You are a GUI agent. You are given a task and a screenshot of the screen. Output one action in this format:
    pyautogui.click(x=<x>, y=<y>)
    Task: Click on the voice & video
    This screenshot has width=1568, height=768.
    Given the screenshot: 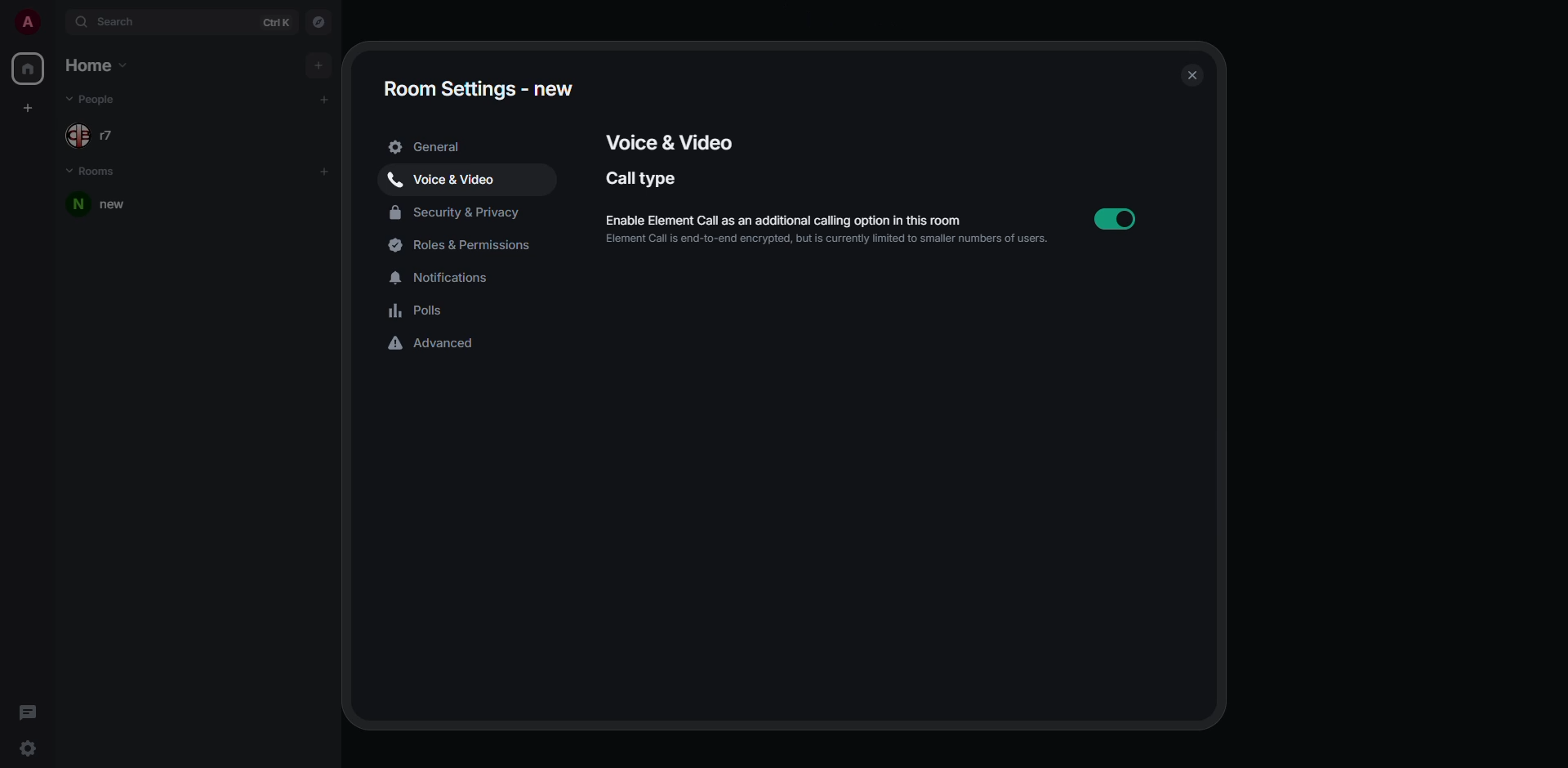 What is the action you would take?
    pyautogui.click(x=446, y=177)
    